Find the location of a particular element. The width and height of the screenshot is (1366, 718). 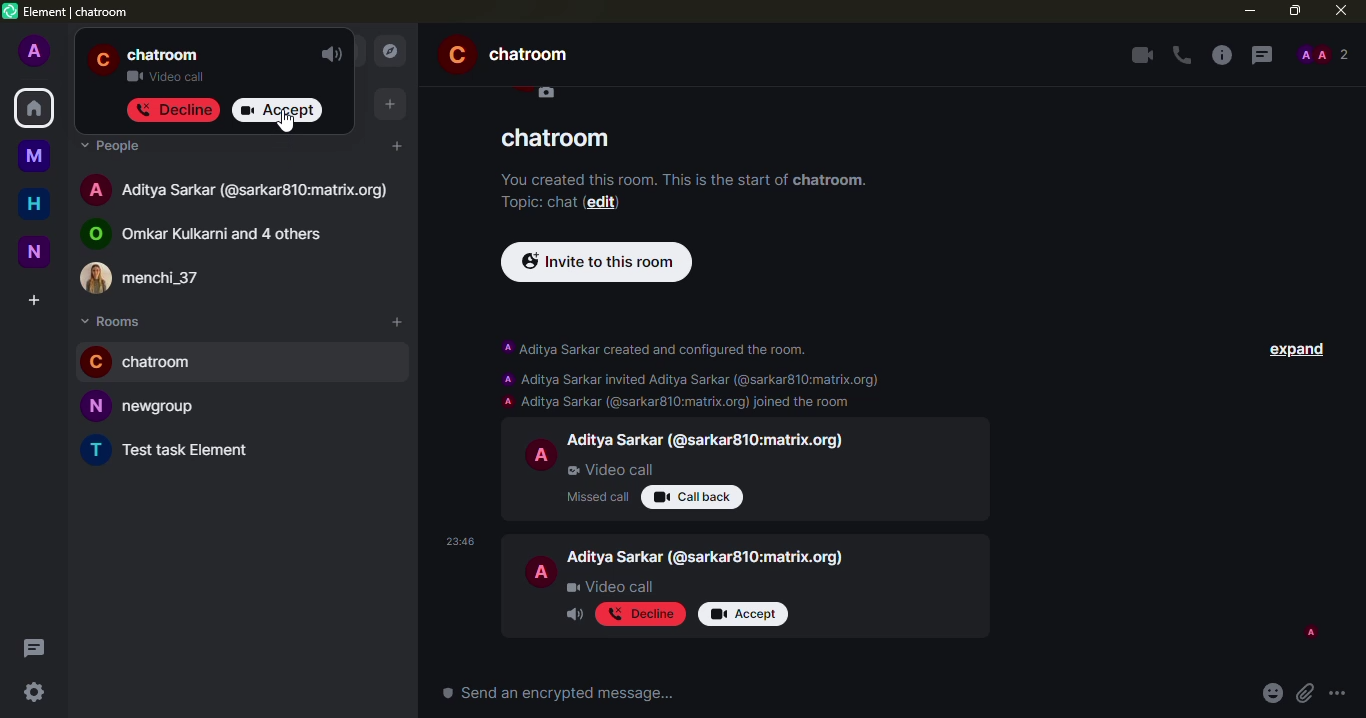

chatroom is located at coordinates (516, 56).